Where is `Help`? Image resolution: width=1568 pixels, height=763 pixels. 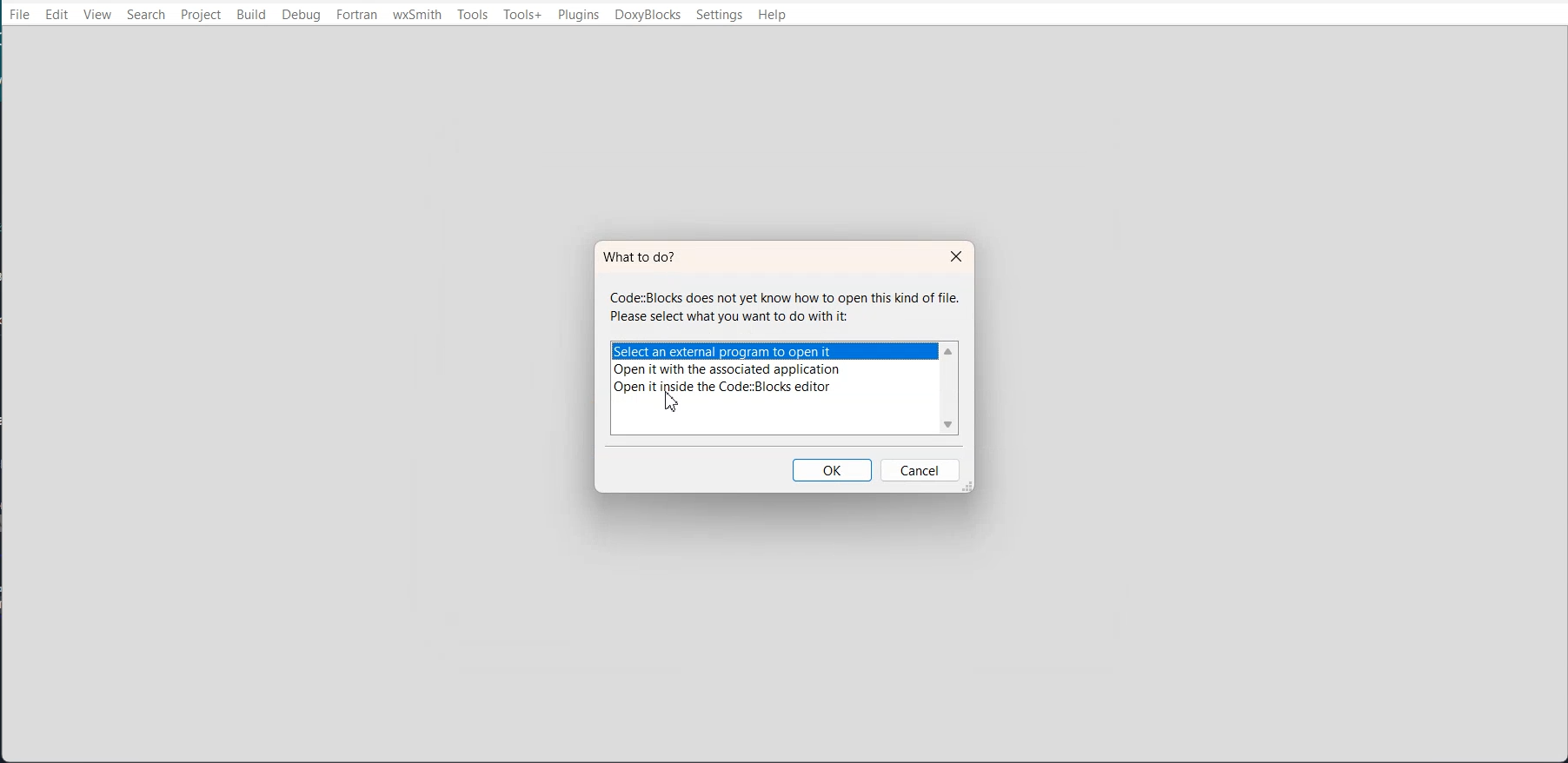
Help is located at coordinates (773, 16).